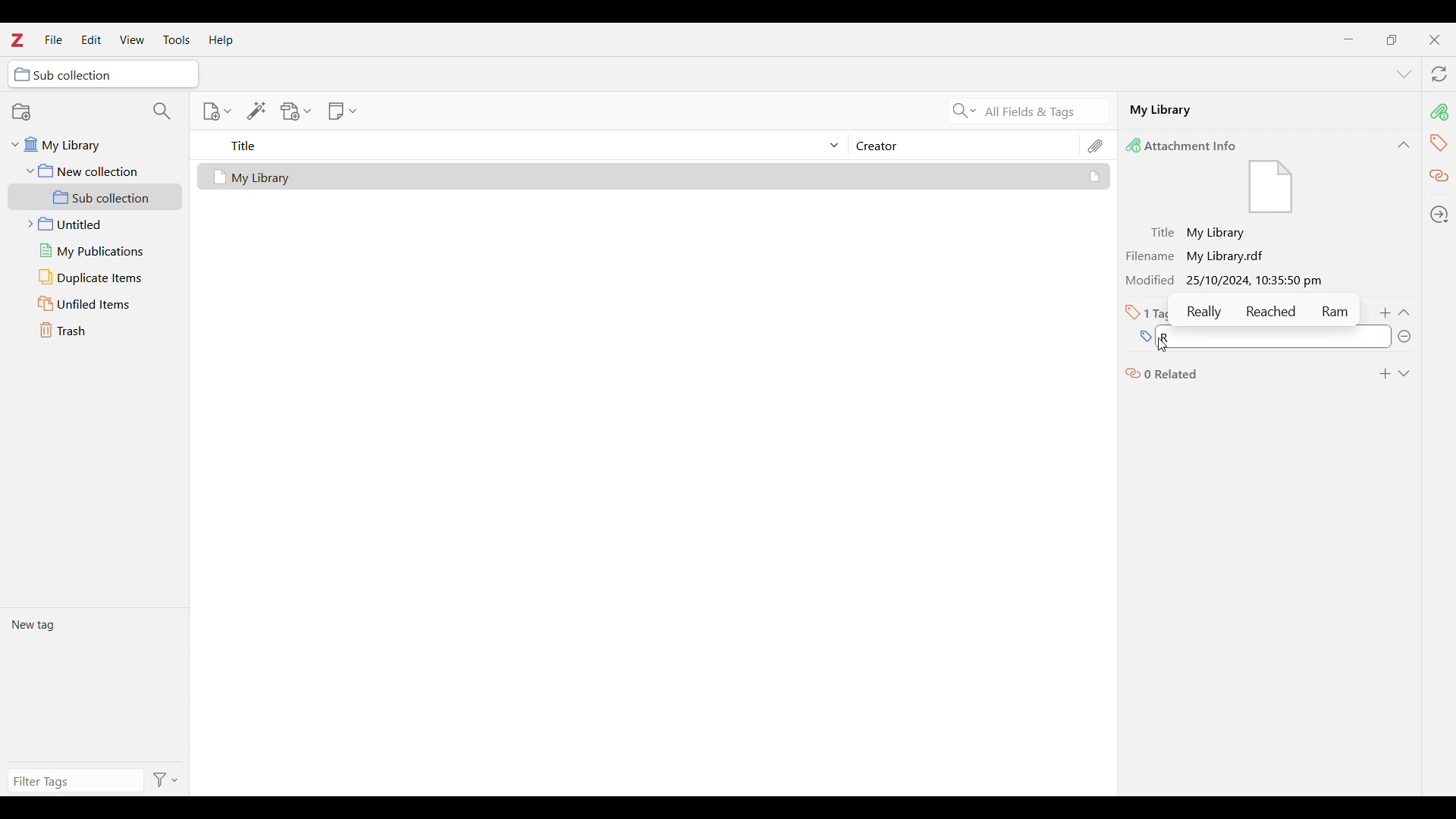 Image resolution: width=1456 pixels, height=819 pixels. I want to click on pin, so click(1439, 111).